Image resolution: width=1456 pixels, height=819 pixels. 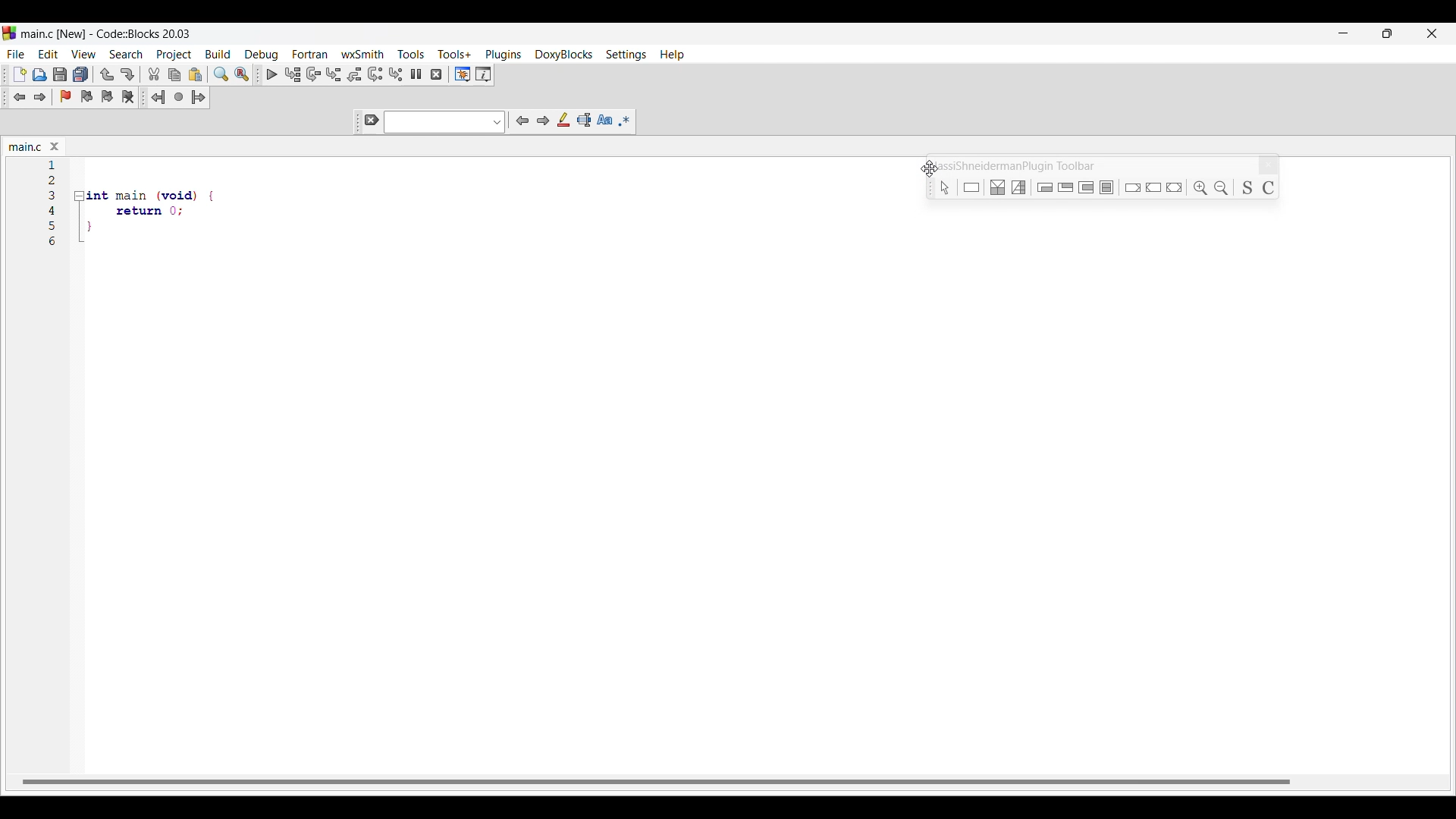 What do you see at coordinates (1019, 165) in the screenshot?
I see `Toolbar title` at bounding box center [1019, 165].